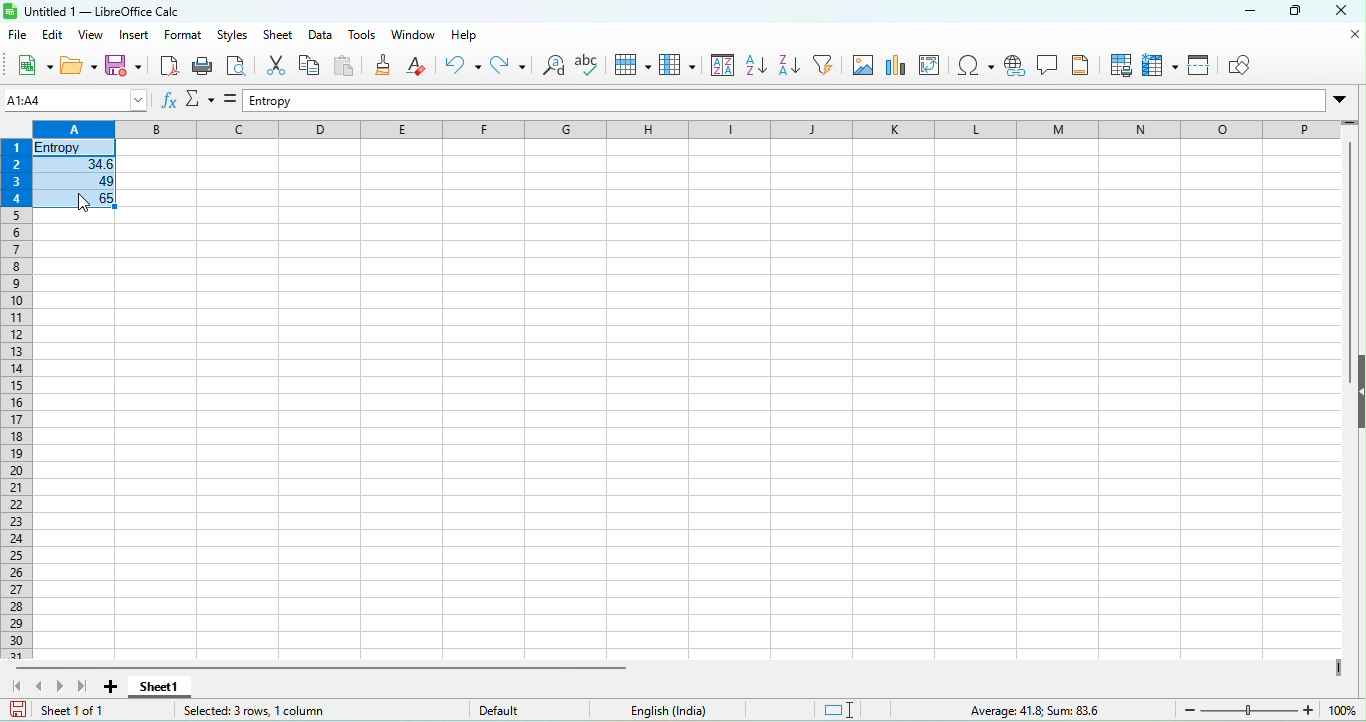 The height and width of the screenshot is (722, 1366). Describe the element at coordinates (900, 65) in the screenshot. I see `chart` at that location.